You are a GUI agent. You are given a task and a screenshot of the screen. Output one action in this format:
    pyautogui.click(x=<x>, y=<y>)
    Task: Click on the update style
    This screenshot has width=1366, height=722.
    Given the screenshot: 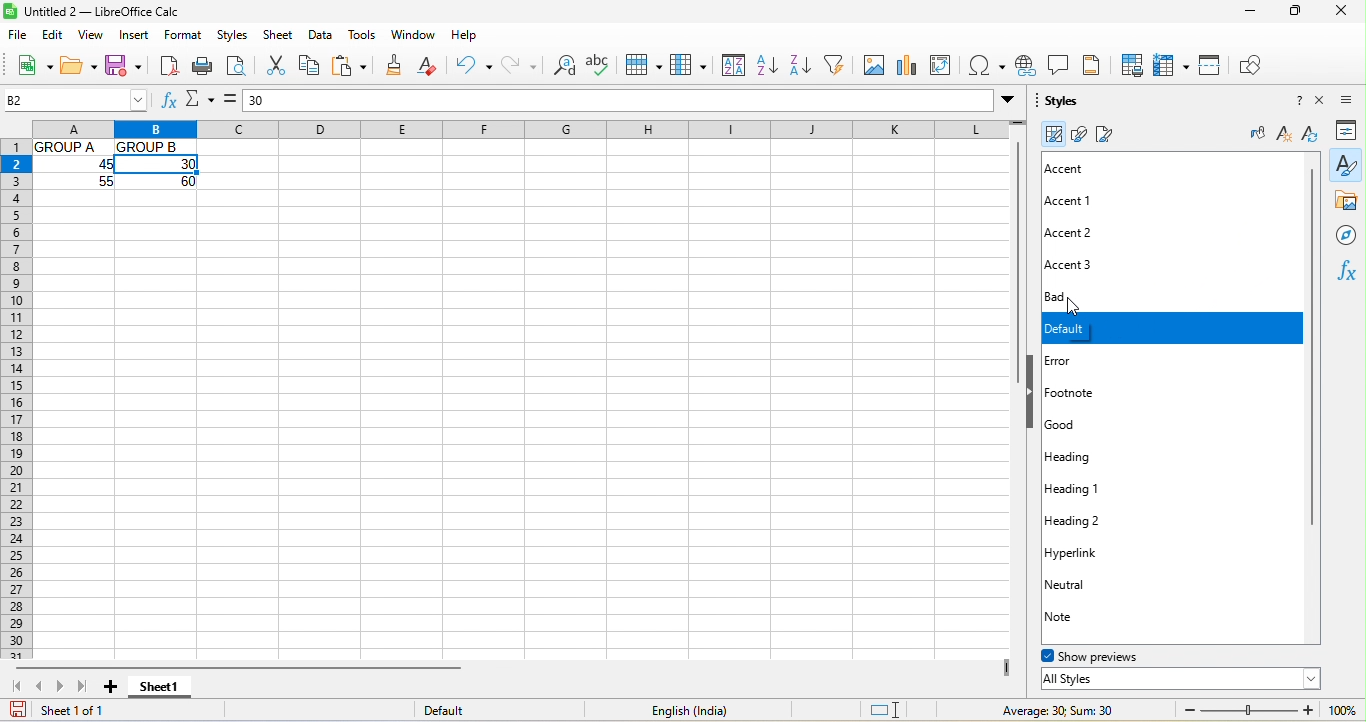 What is the action you would take?
    pyautogui.click(x=1310, y=137)
    